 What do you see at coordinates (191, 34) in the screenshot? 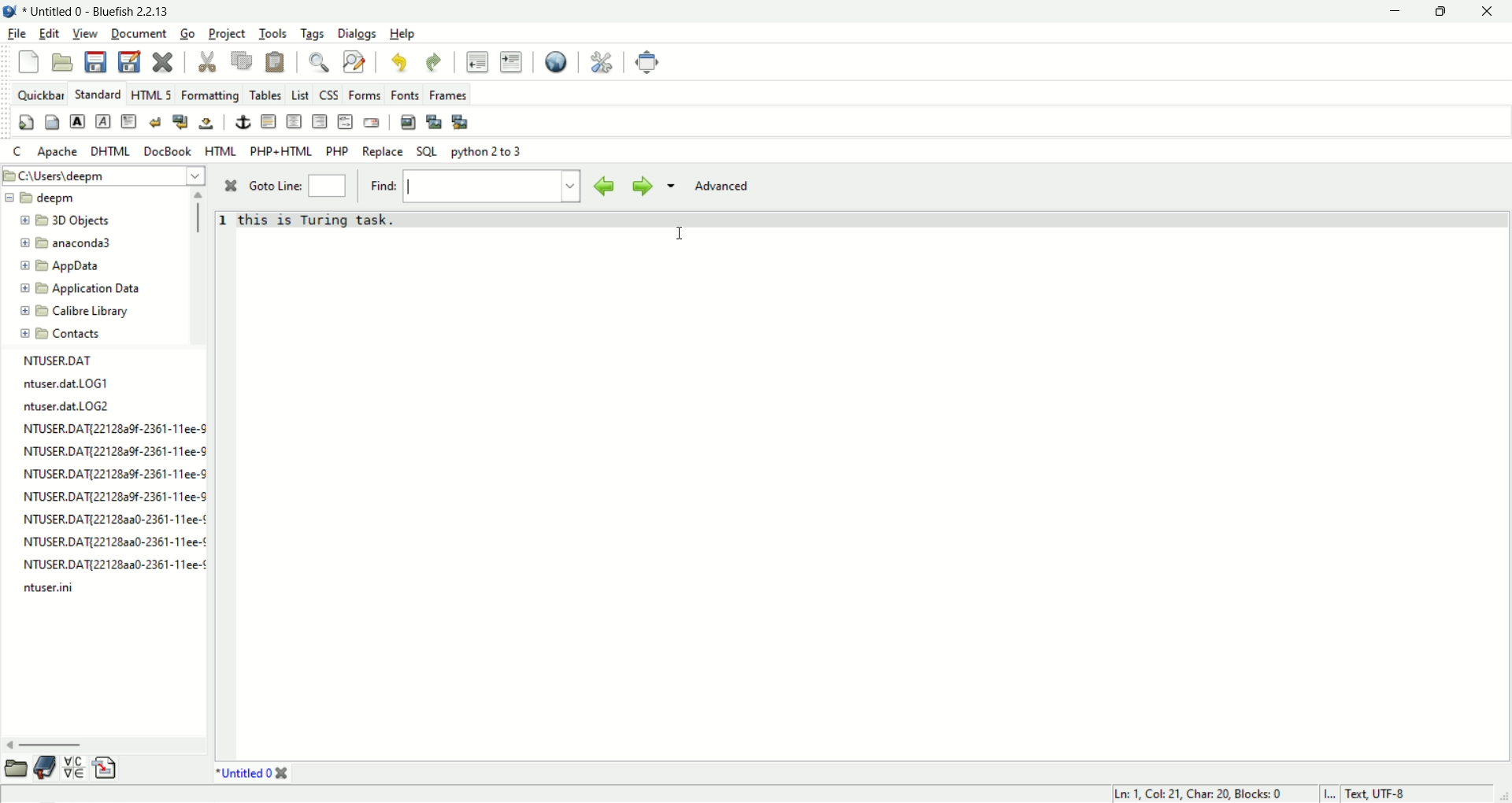
I see `Go` at bounding box center [191, 34].